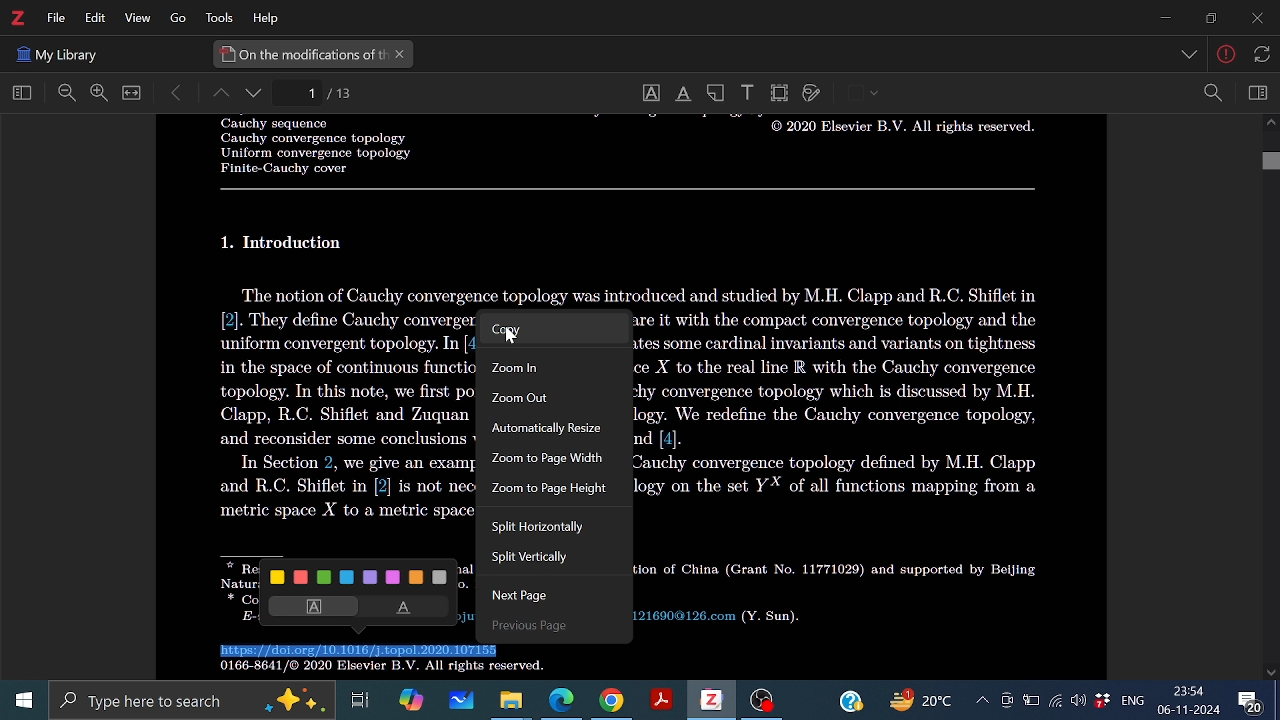  I want to click on Close, so click(1255, 20).